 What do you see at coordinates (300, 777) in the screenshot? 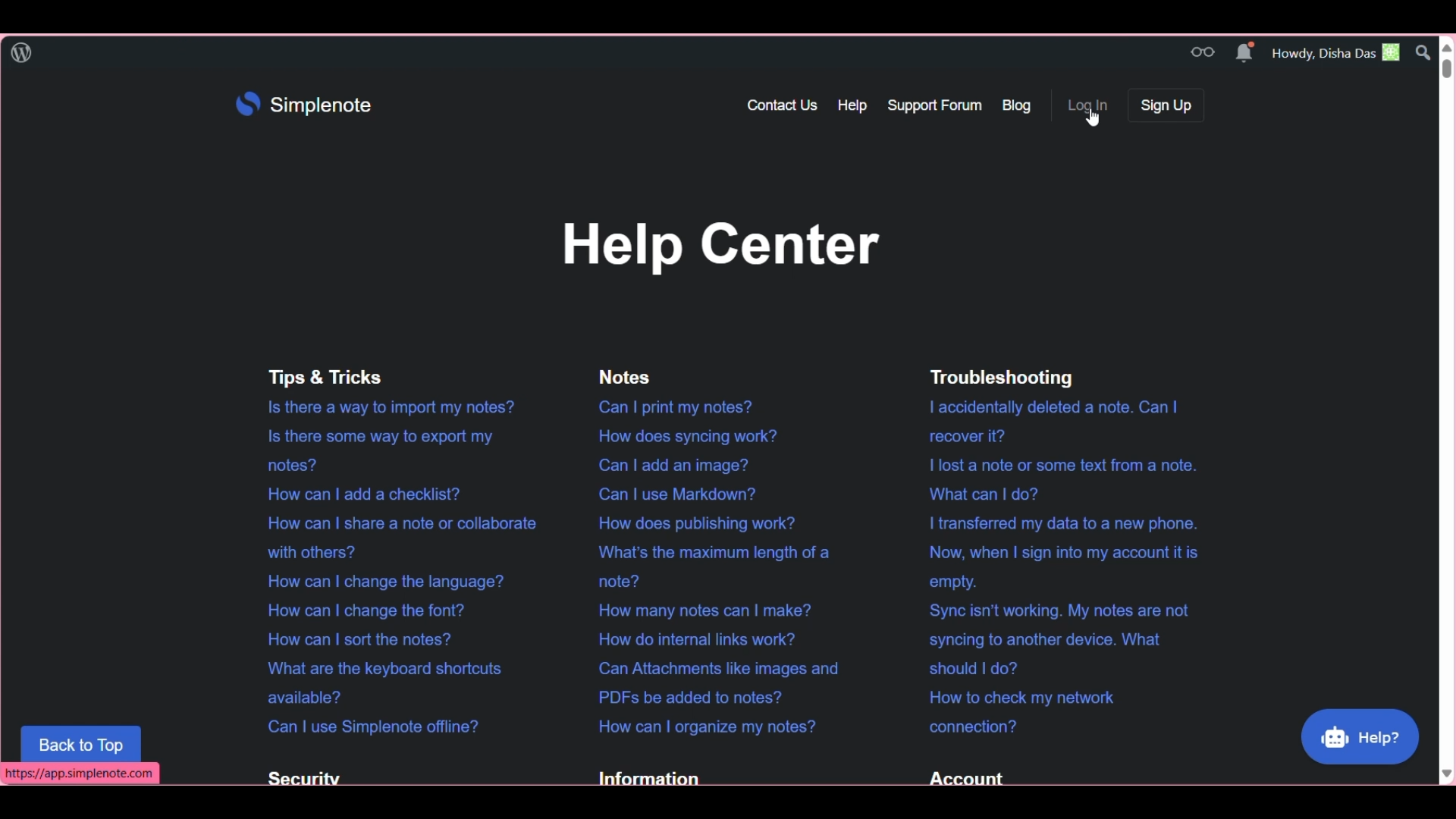
I see `Security` at bounding box center [300, 777].